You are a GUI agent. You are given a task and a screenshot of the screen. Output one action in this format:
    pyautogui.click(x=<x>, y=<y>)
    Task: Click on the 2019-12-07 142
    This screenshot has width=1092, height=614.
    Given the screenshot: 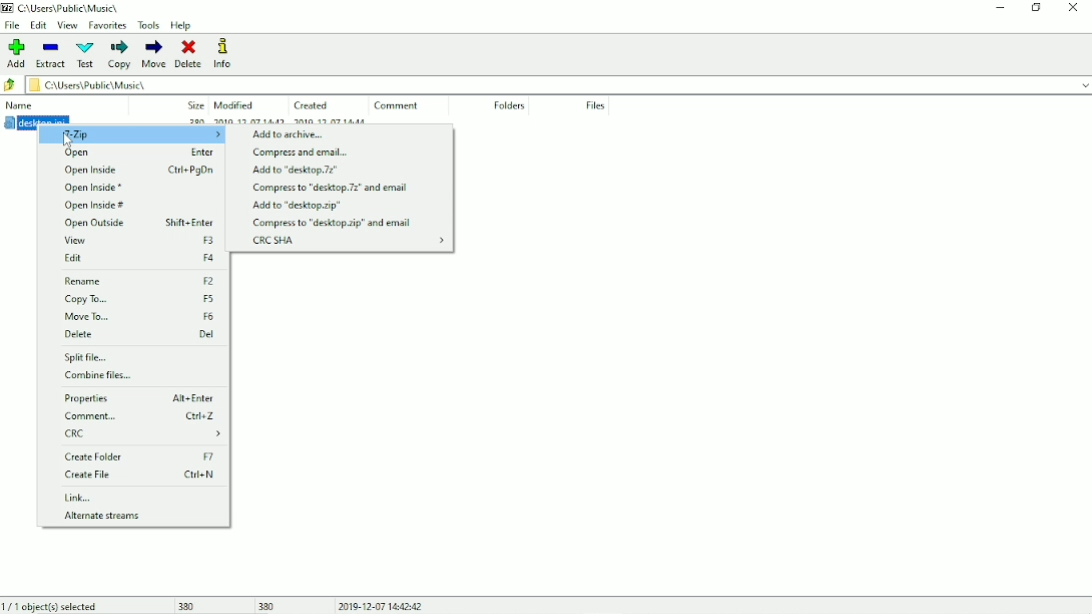 What is the action you would take?
    pyautogui.click(x=247, y=119)
    